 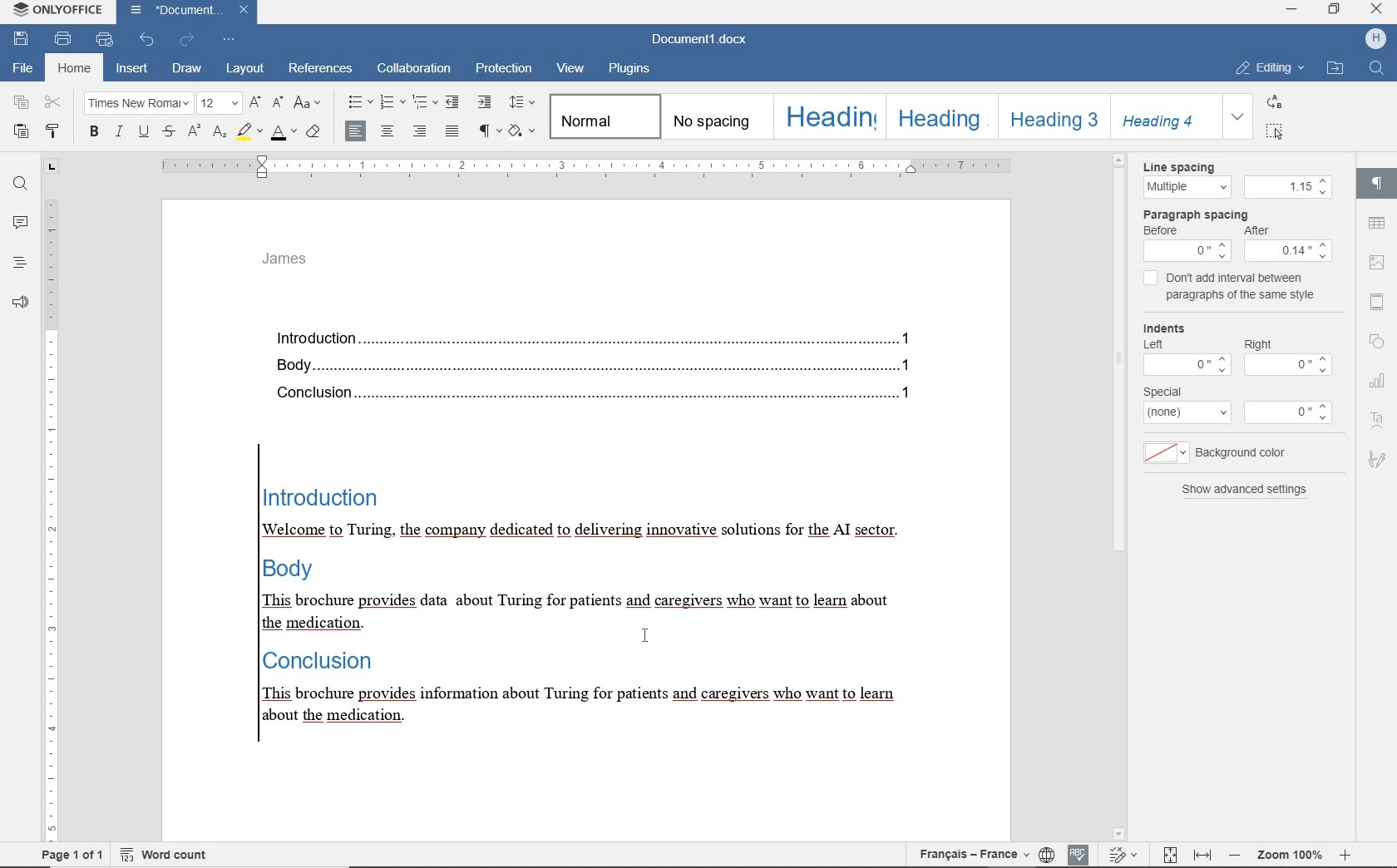 I want to click on feedback & support, so click(x=21, y=303).